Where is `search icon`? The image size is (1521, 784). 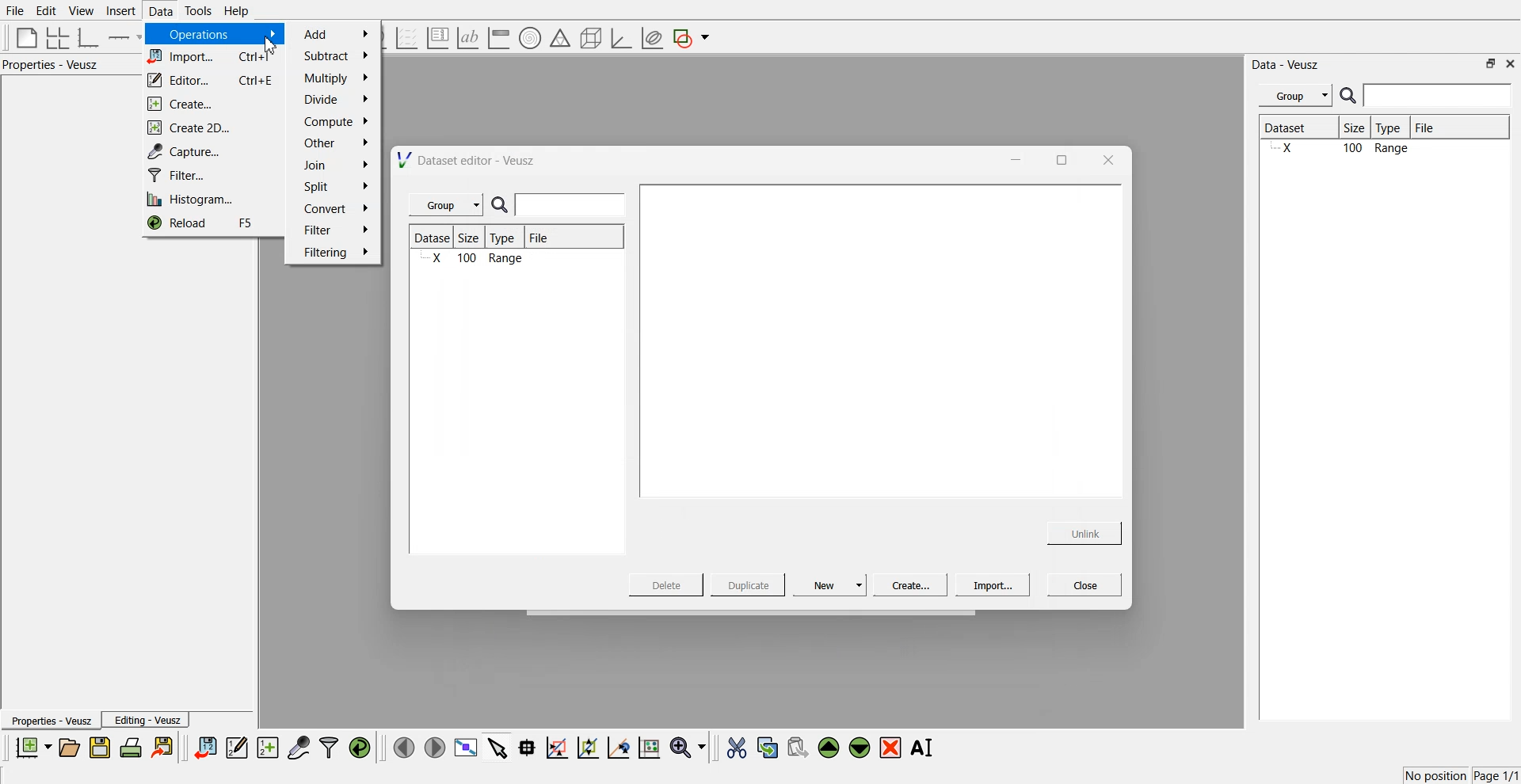
search icon is located at coordinates (503, 206).